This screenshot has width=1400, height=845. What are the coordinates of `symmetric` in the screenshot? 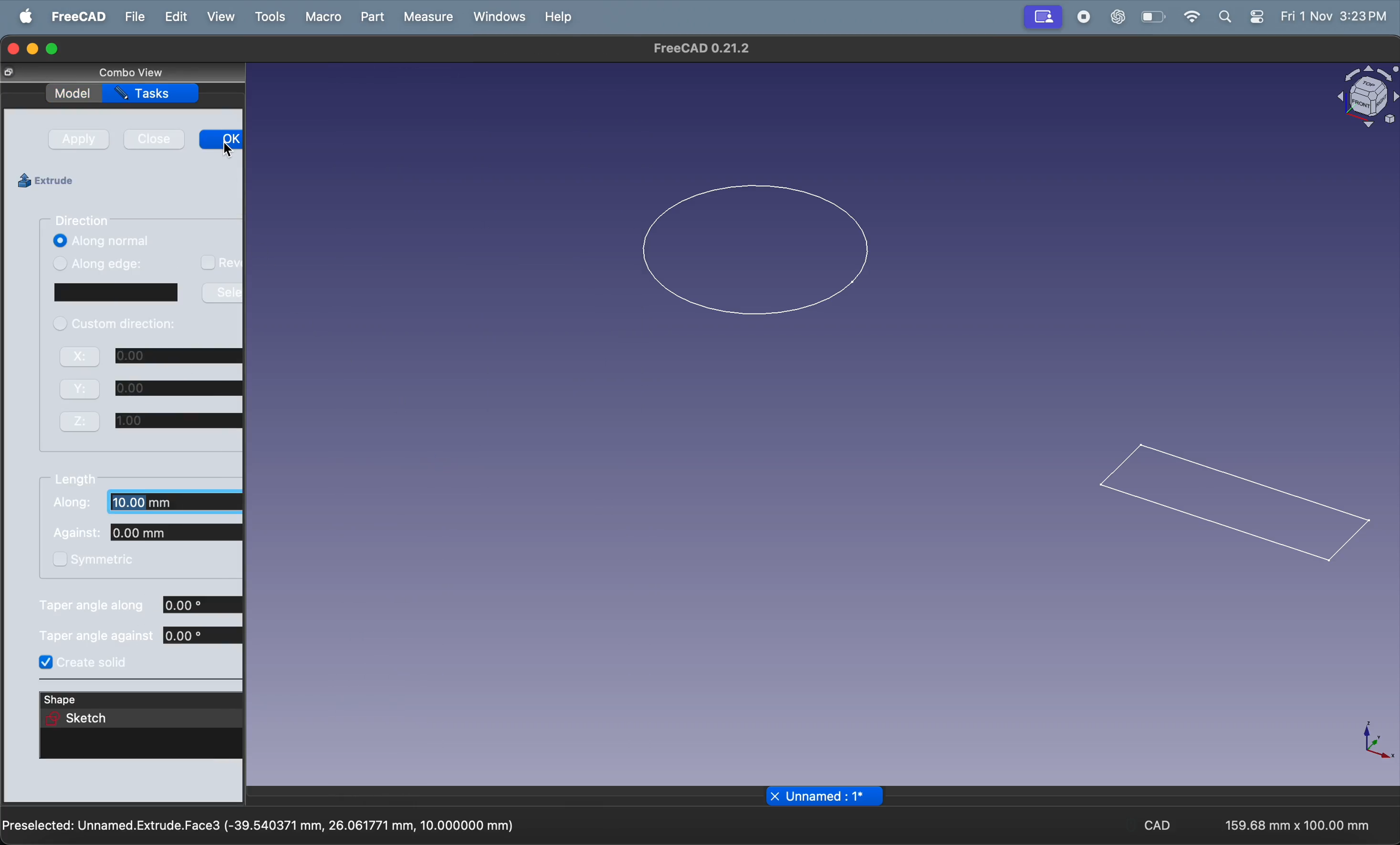 It's located at (103, 559).